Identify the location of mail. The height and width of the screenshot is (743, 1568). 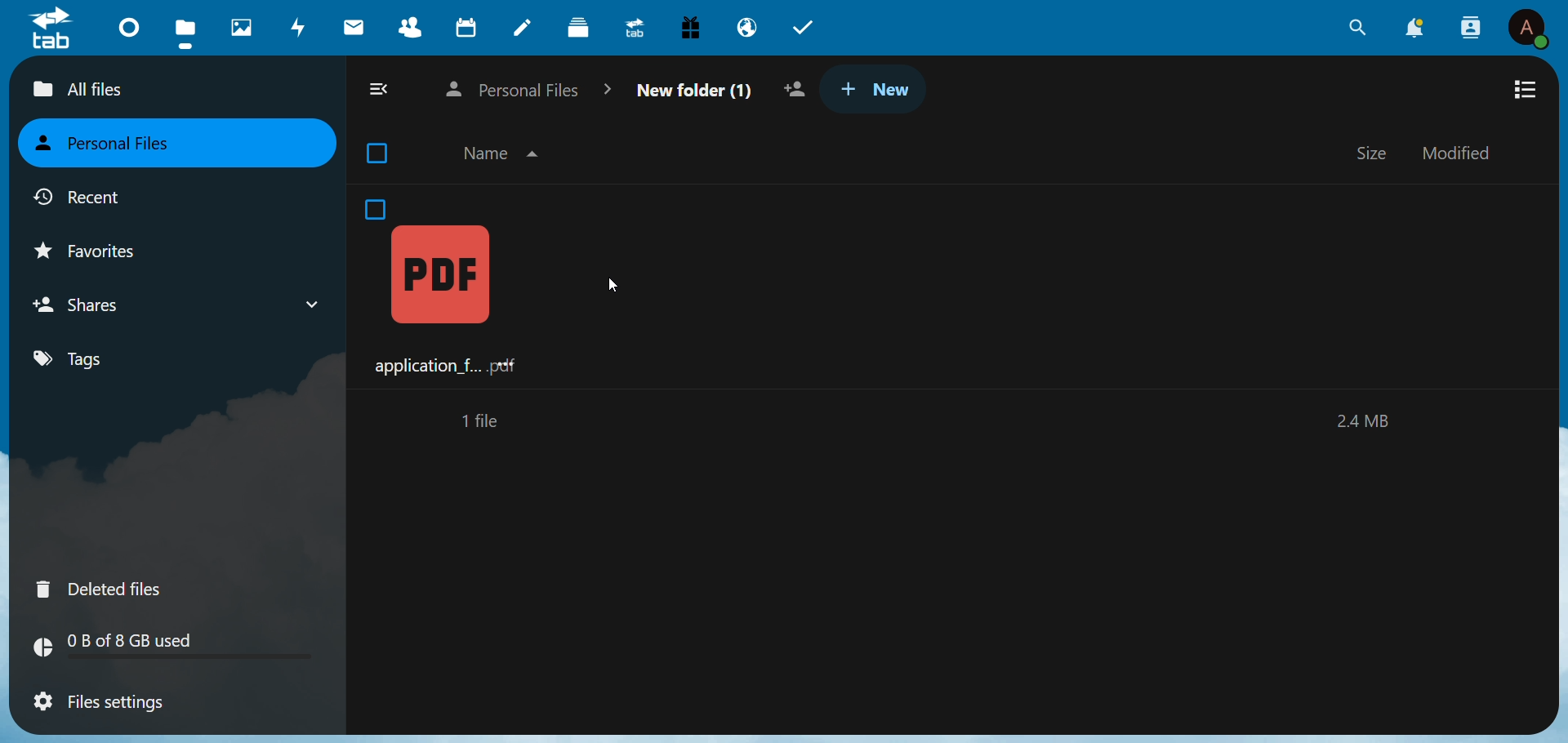
(355, 26).